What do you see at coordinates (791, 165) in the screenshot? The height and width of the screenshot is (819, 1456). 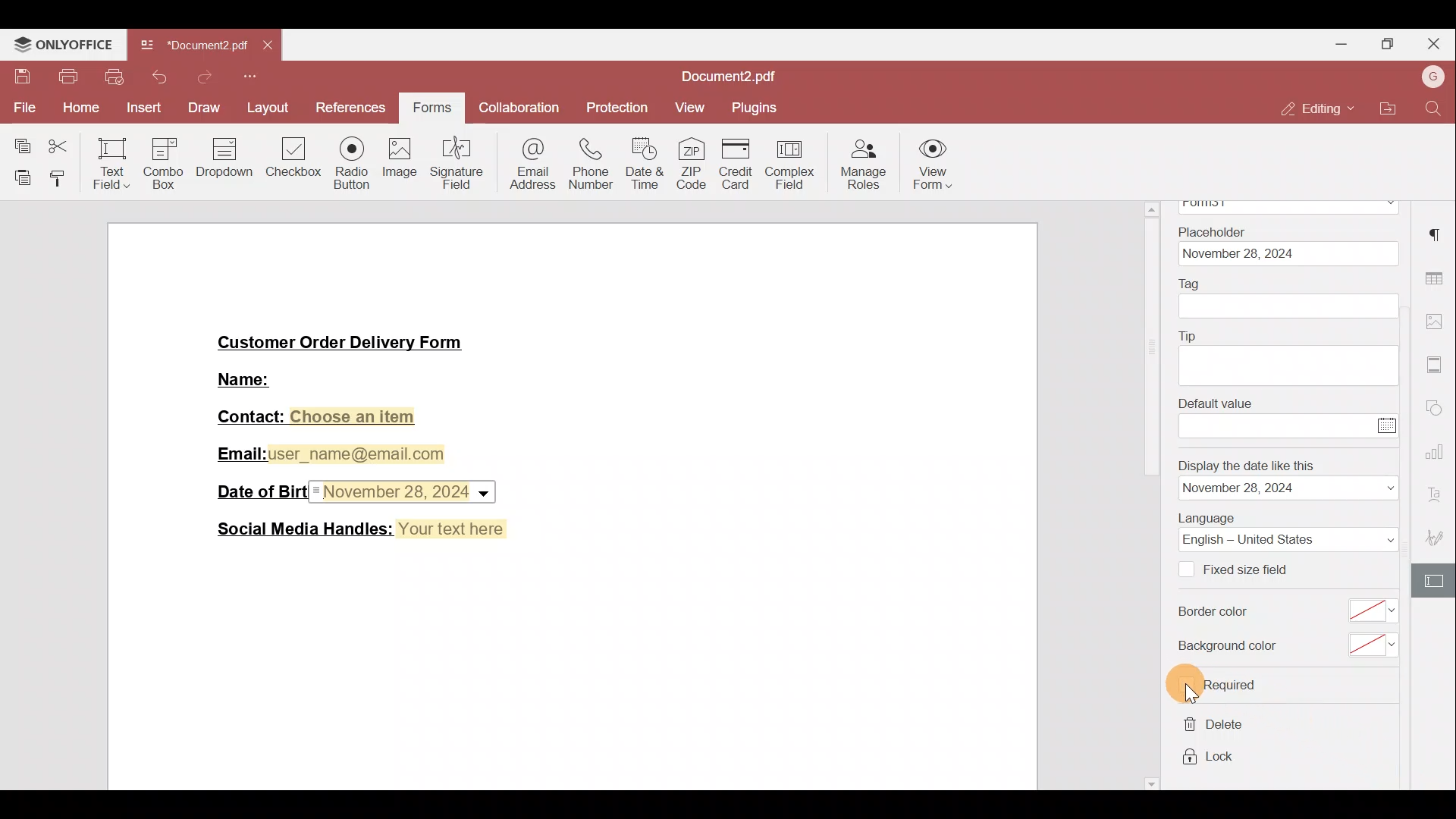 I see `Complex field` at bounding box center [791, 165].